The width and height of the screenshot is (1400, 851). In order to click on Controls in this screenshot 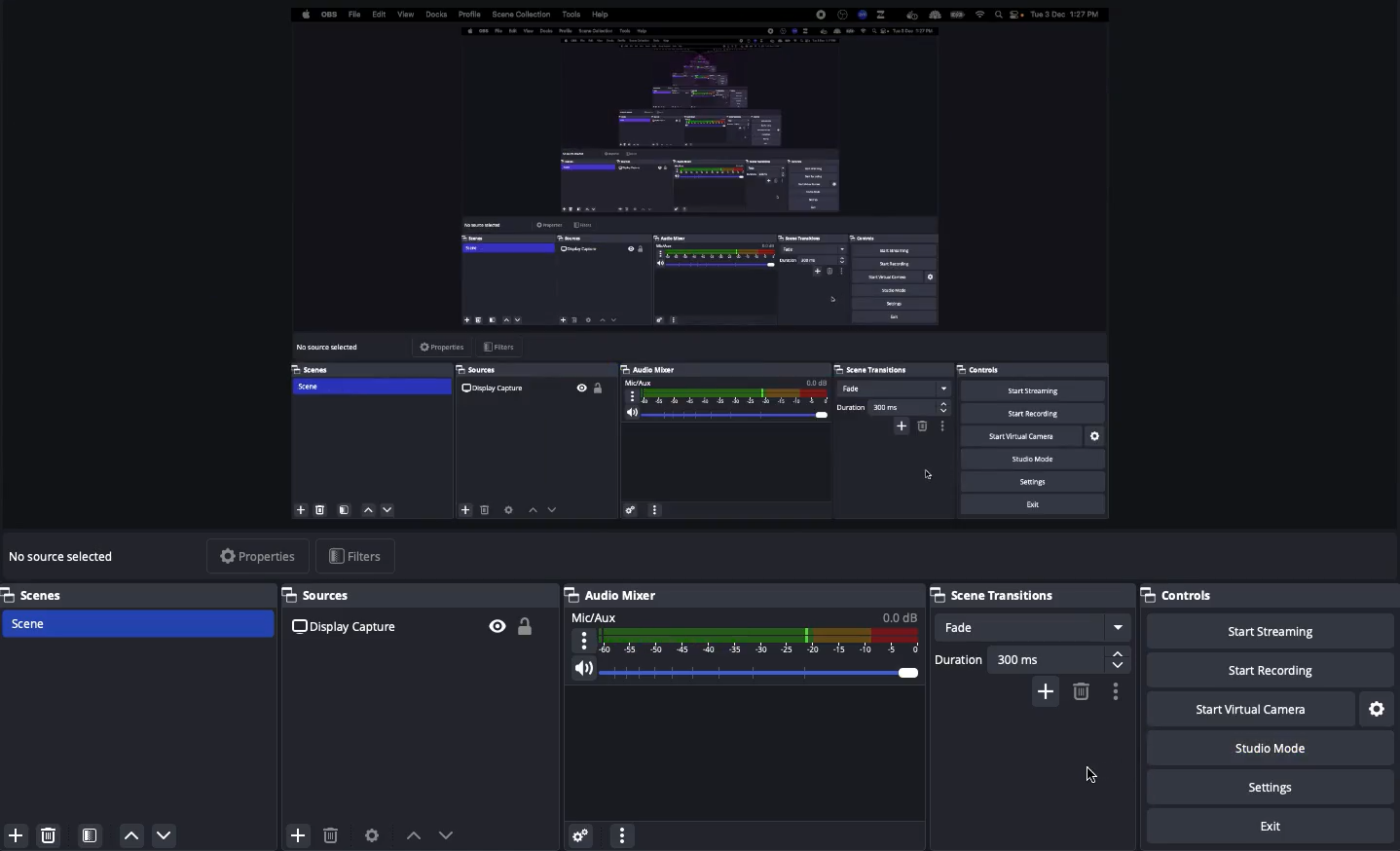, I will do `click(1270, 595)`.